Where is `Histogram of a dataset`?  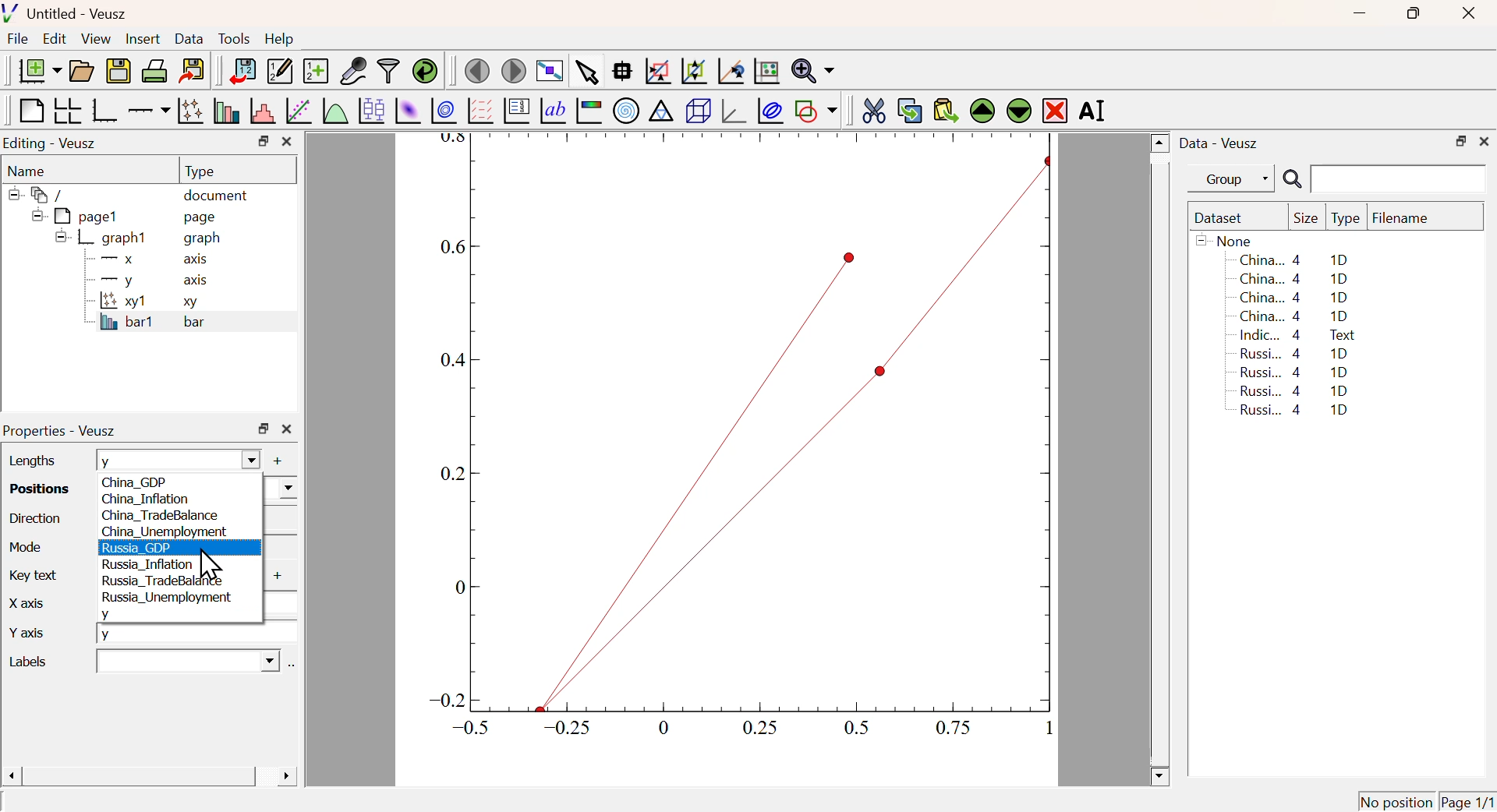 Histogram of a dataset is located at coordinates (263, 111).